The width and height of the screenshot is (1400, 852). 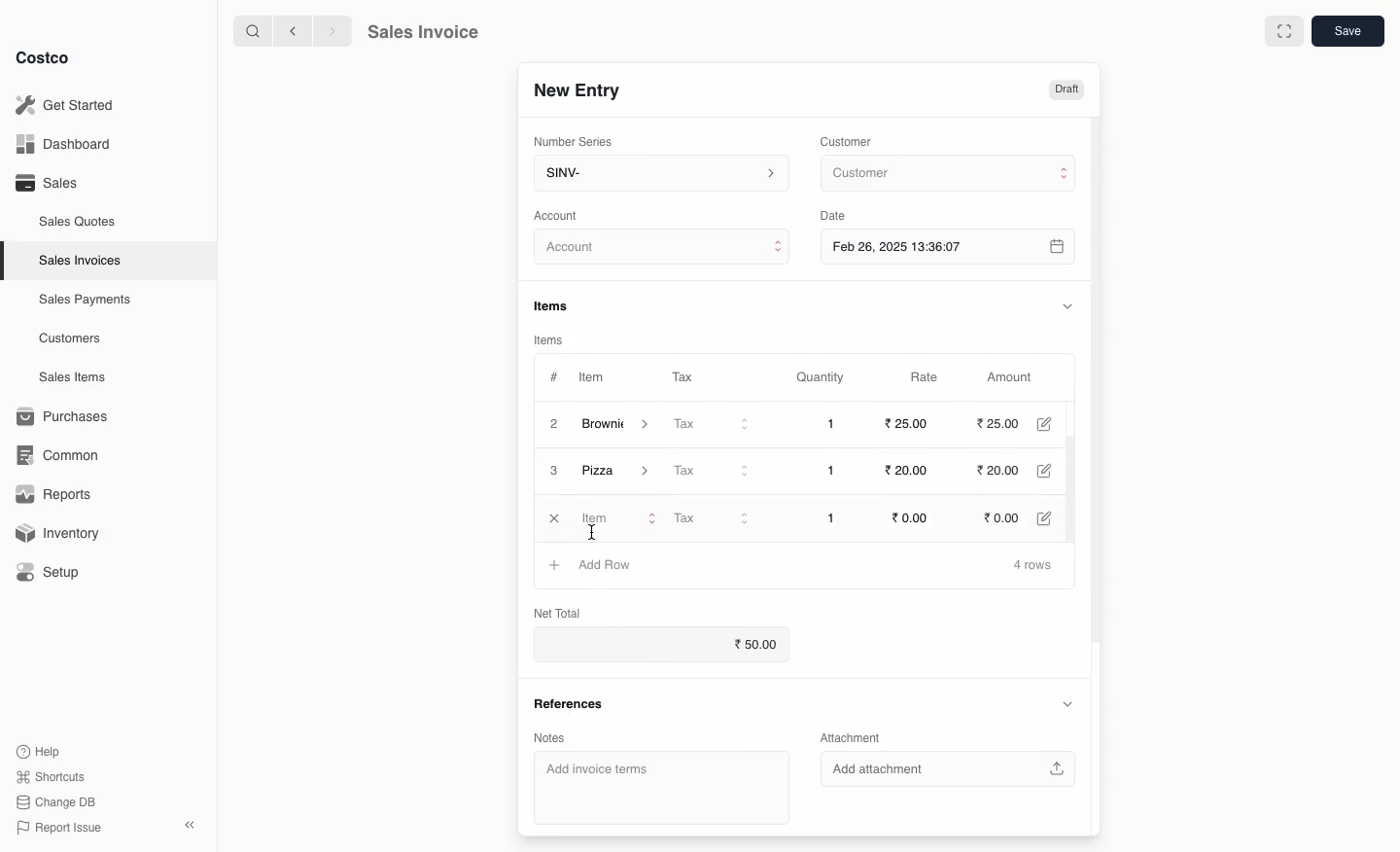 I want to click on Sales Quotes, so click(x=80, y=221).